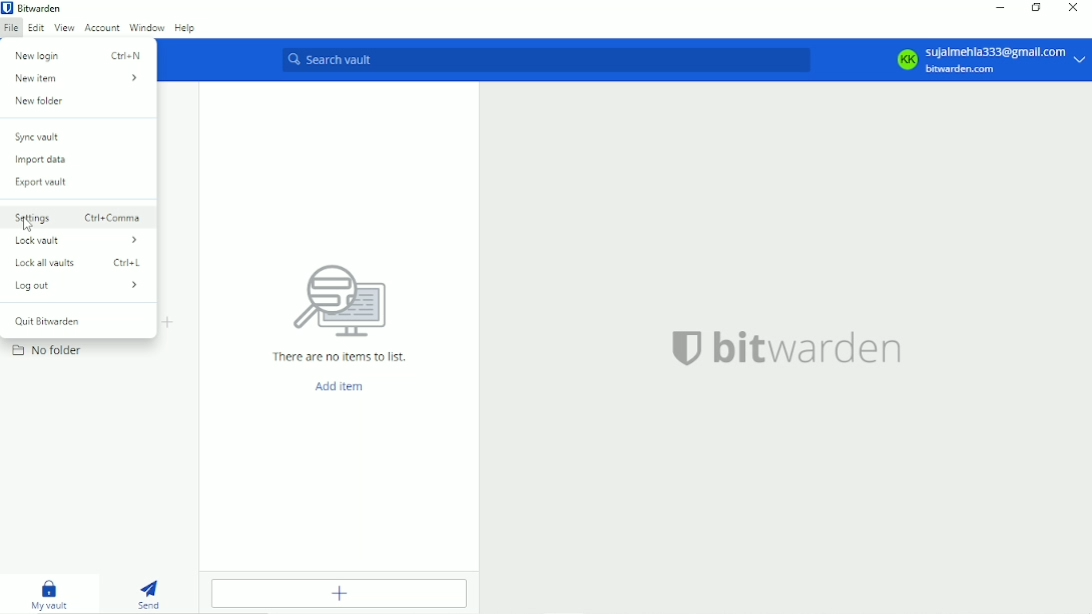 The height and width of the screenshot is (614, 1092). What do you see at coordinates (44, 593) in the screenshot?
I see `My vault` at bounding box center [44, 593].